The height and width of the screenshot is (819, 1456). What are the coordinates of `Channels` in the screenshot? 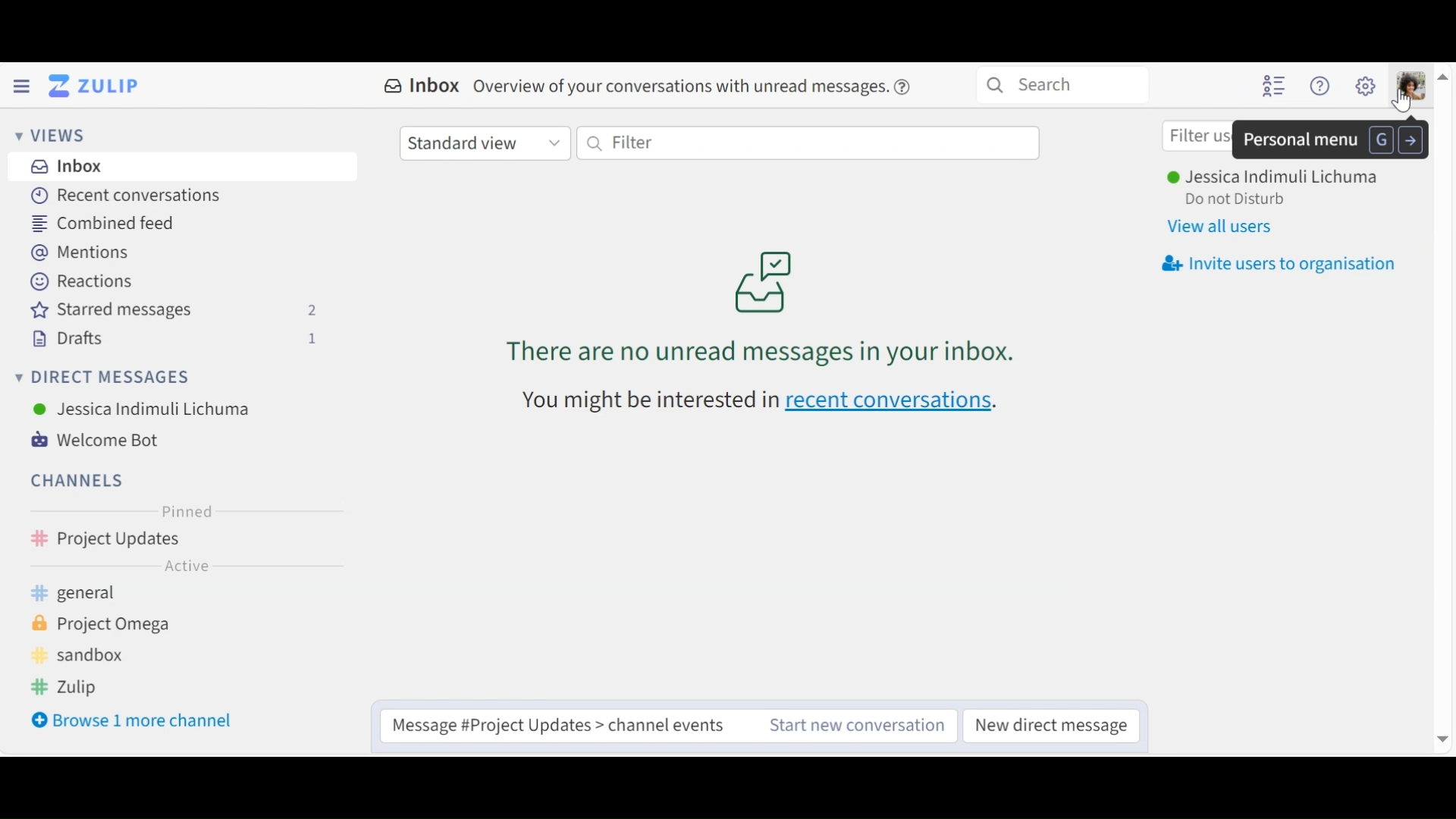 It's located at (74, 480).